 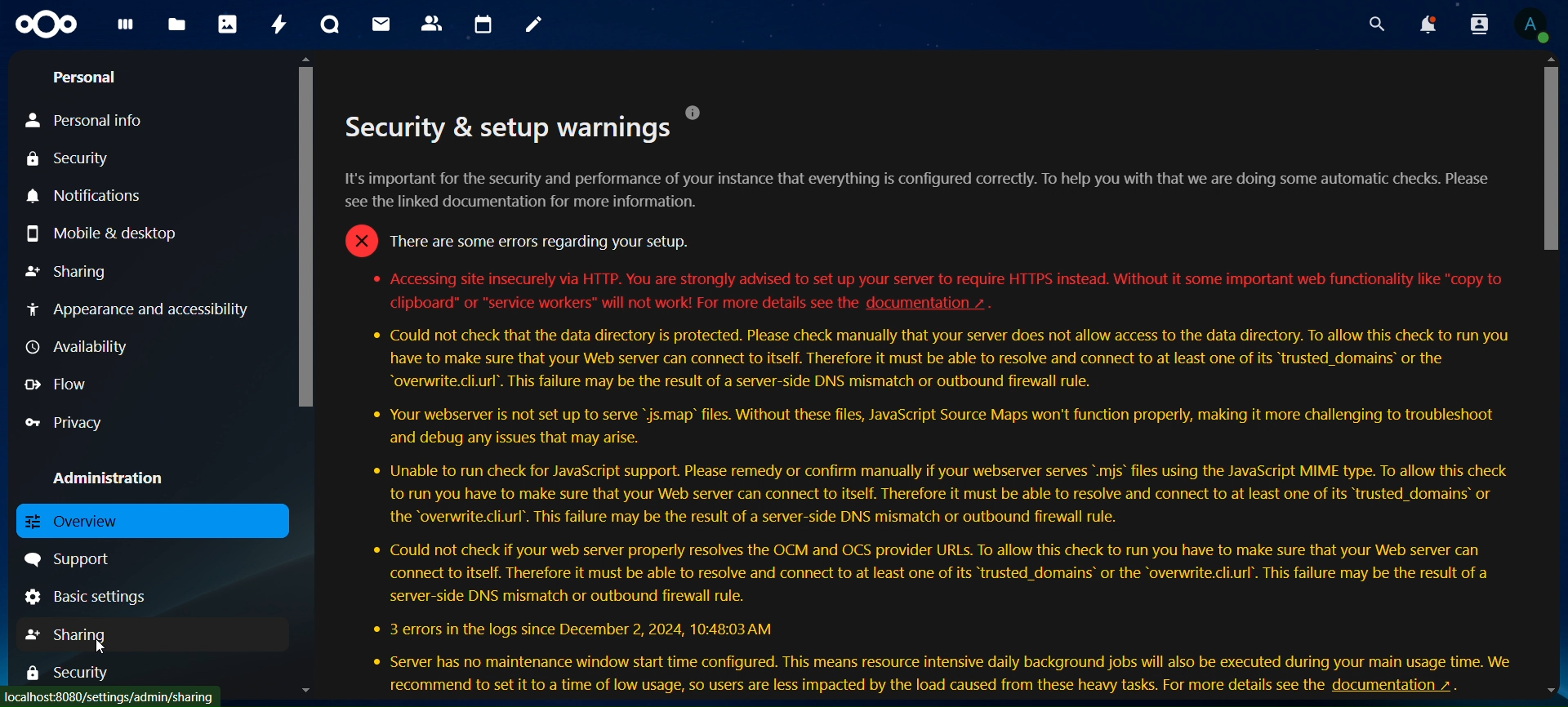 I want to click on support, so click(x=69, y=559).